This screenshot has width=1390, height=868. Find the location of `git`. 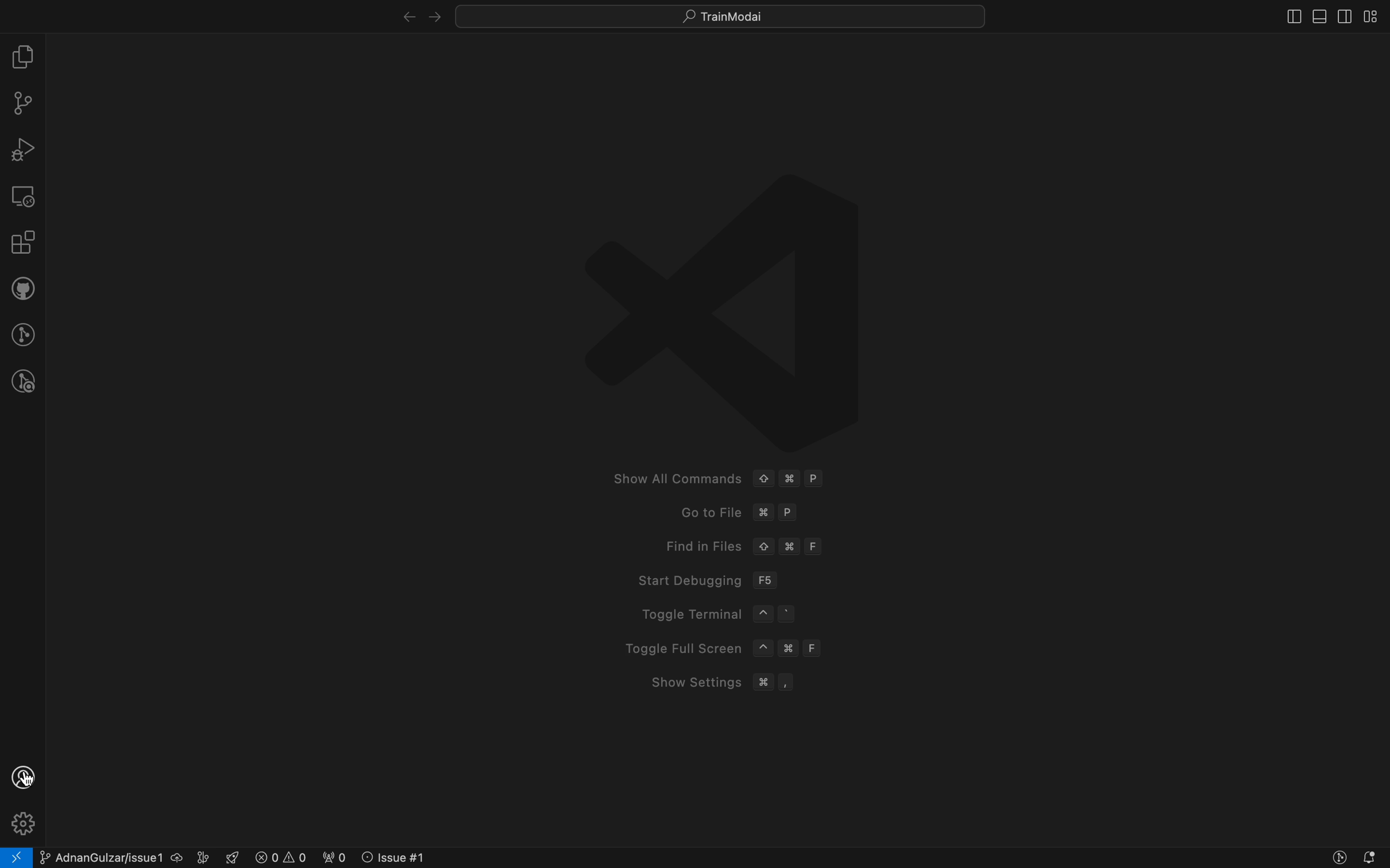

git is located at coordinates (22, 102).